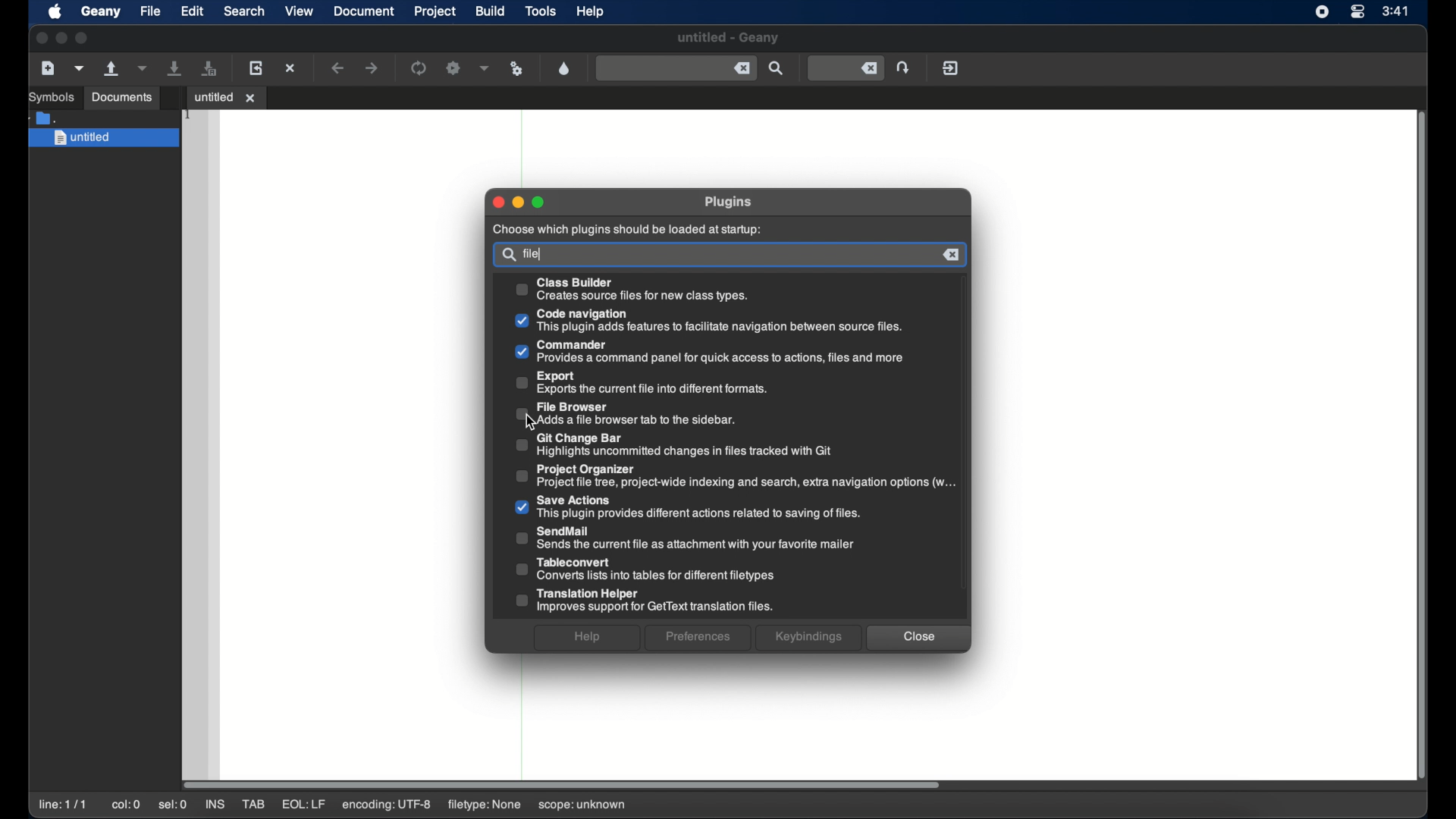 The height and width of the screenshot is (819, 1456). I want to click on navigate forward a location, so click(372, 68).